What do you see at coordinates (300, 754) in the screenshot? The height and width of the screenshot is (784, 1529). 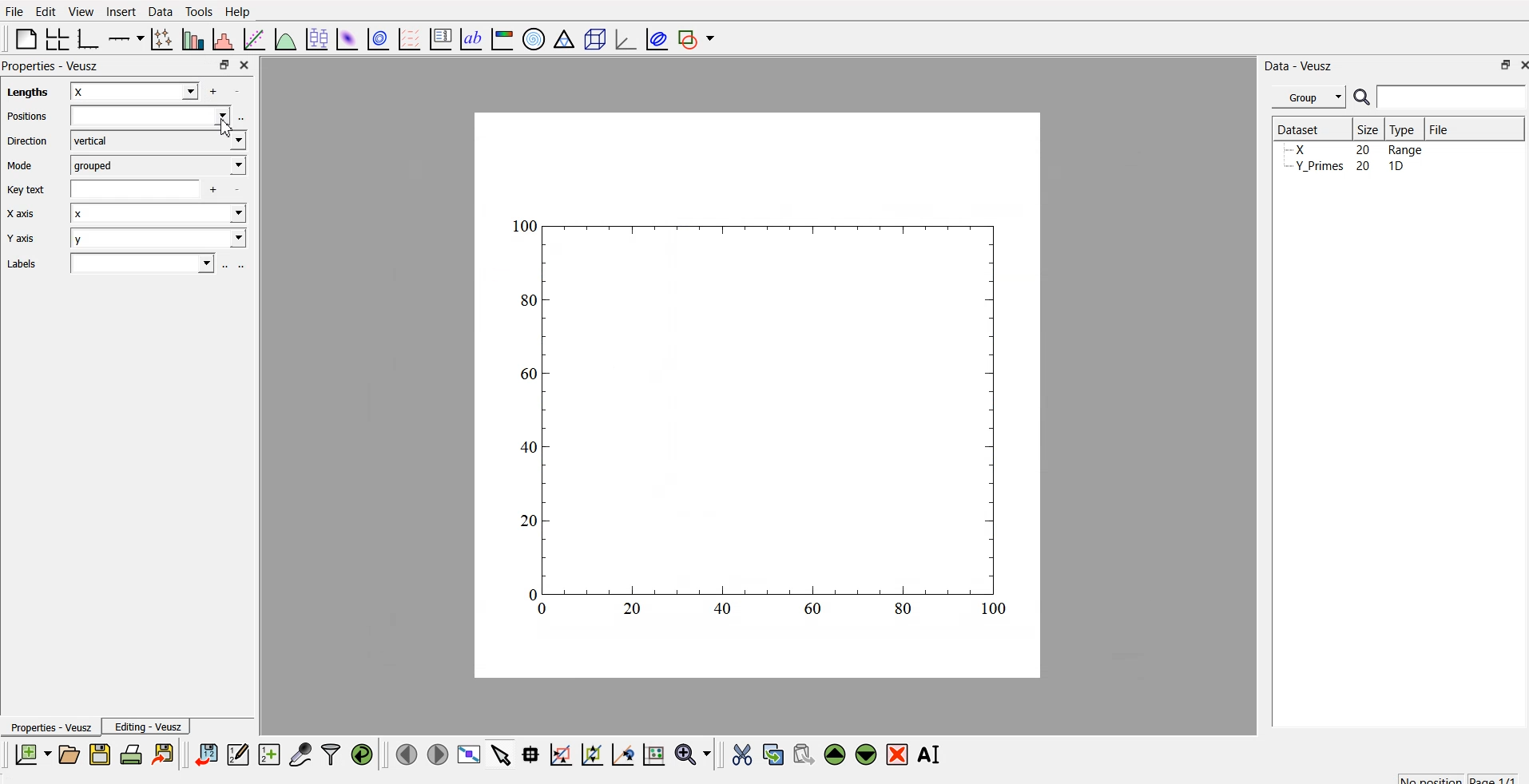 I see `capture a dataset` at bounding box center [300, 754].